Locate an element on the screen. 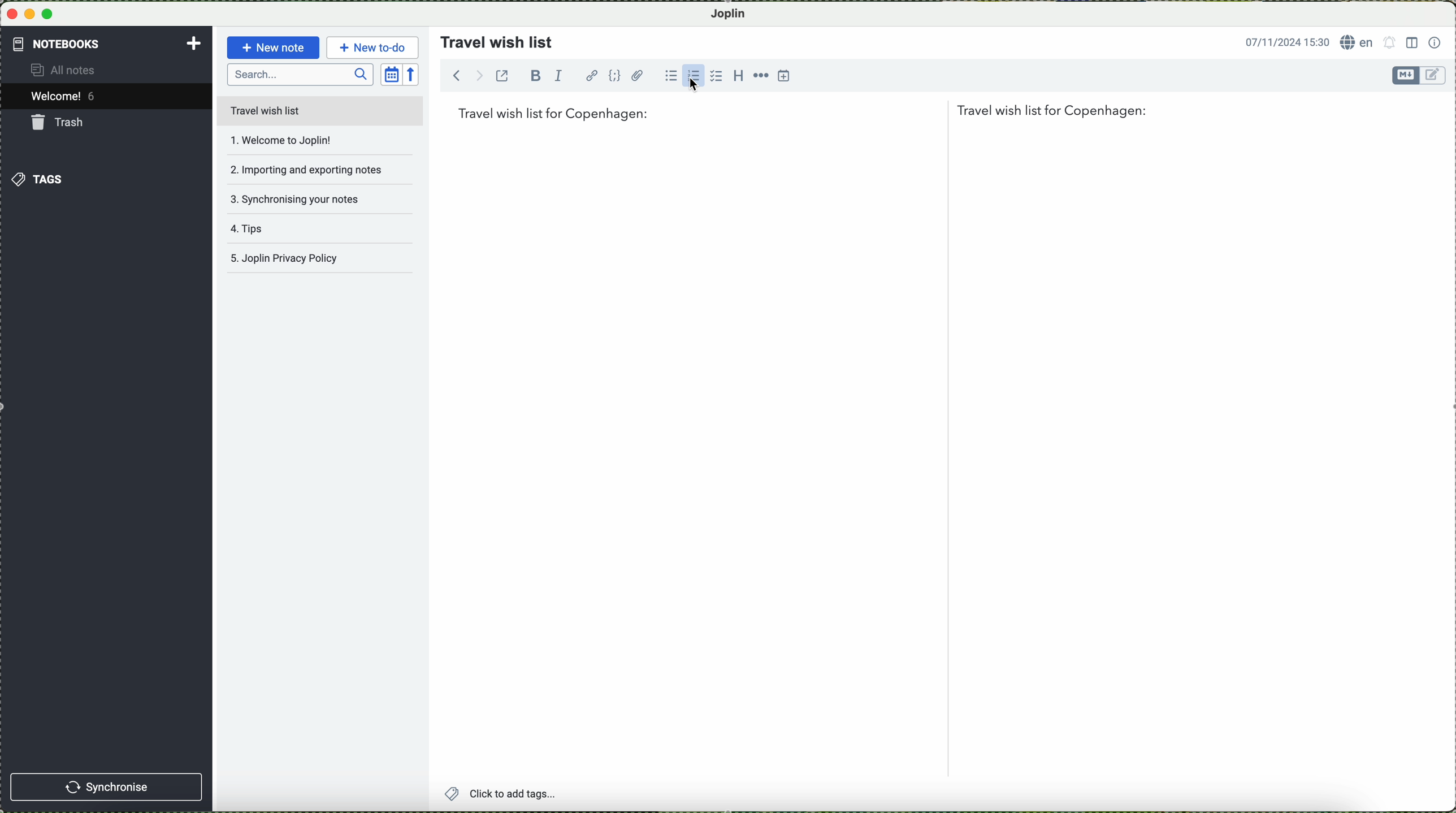  cursor is located at coordinates (687, 83).